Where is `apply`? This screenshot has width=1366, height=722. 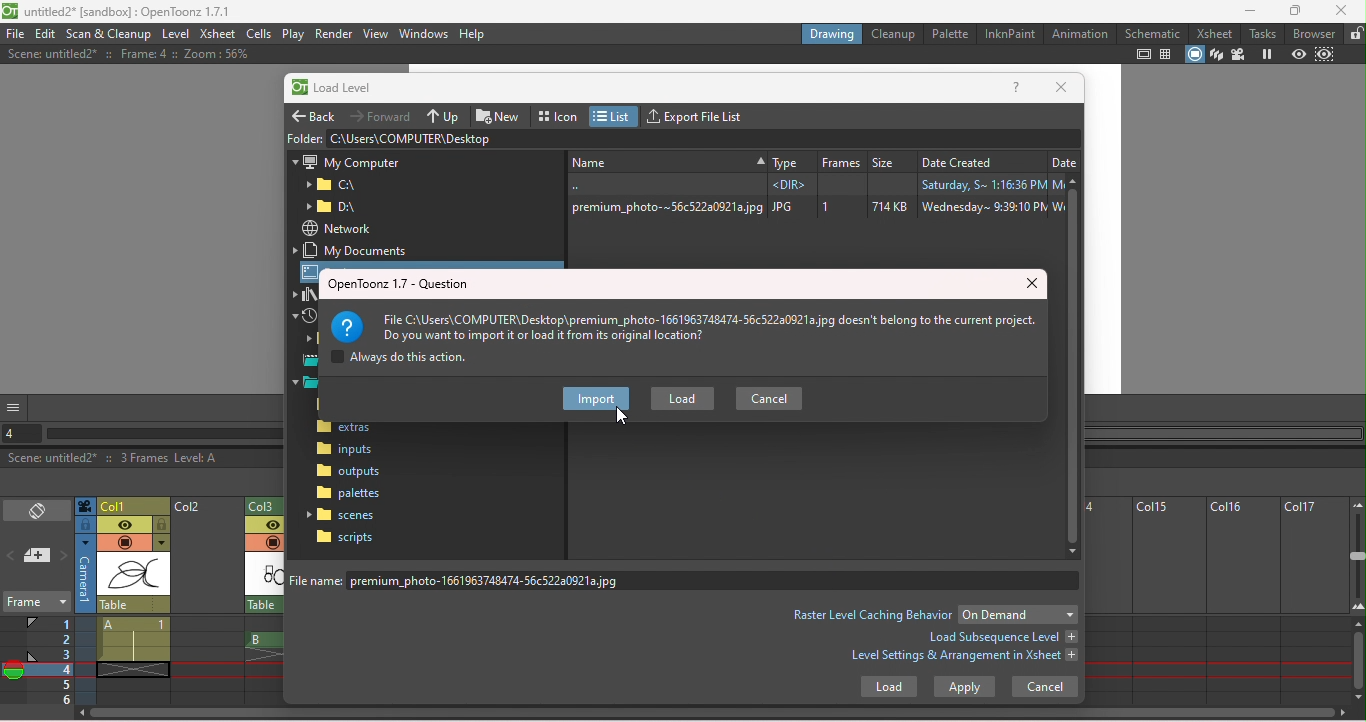
apply is located at coordinates (964, 687).